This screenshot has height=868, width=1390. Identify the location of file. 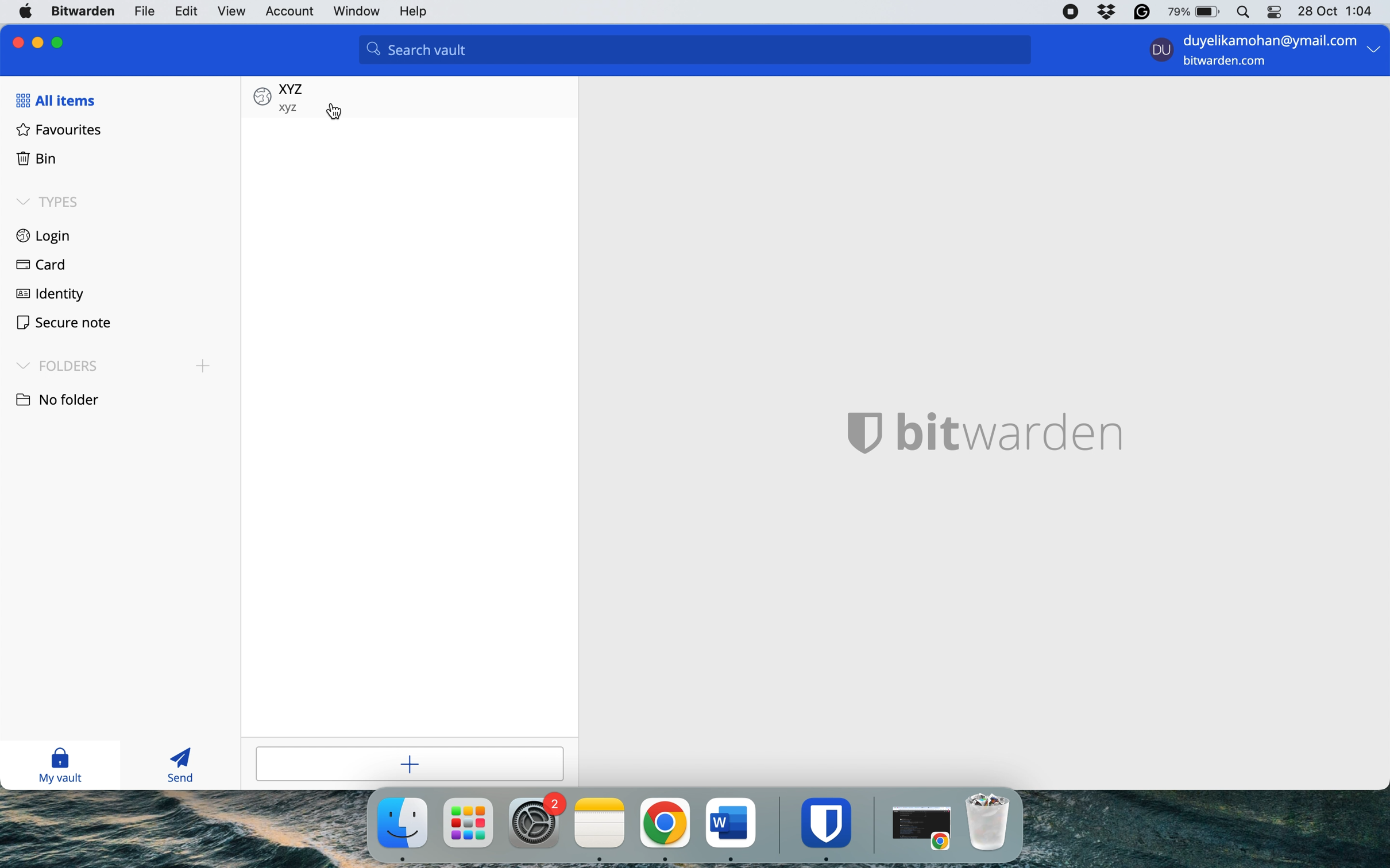
(143, 11).